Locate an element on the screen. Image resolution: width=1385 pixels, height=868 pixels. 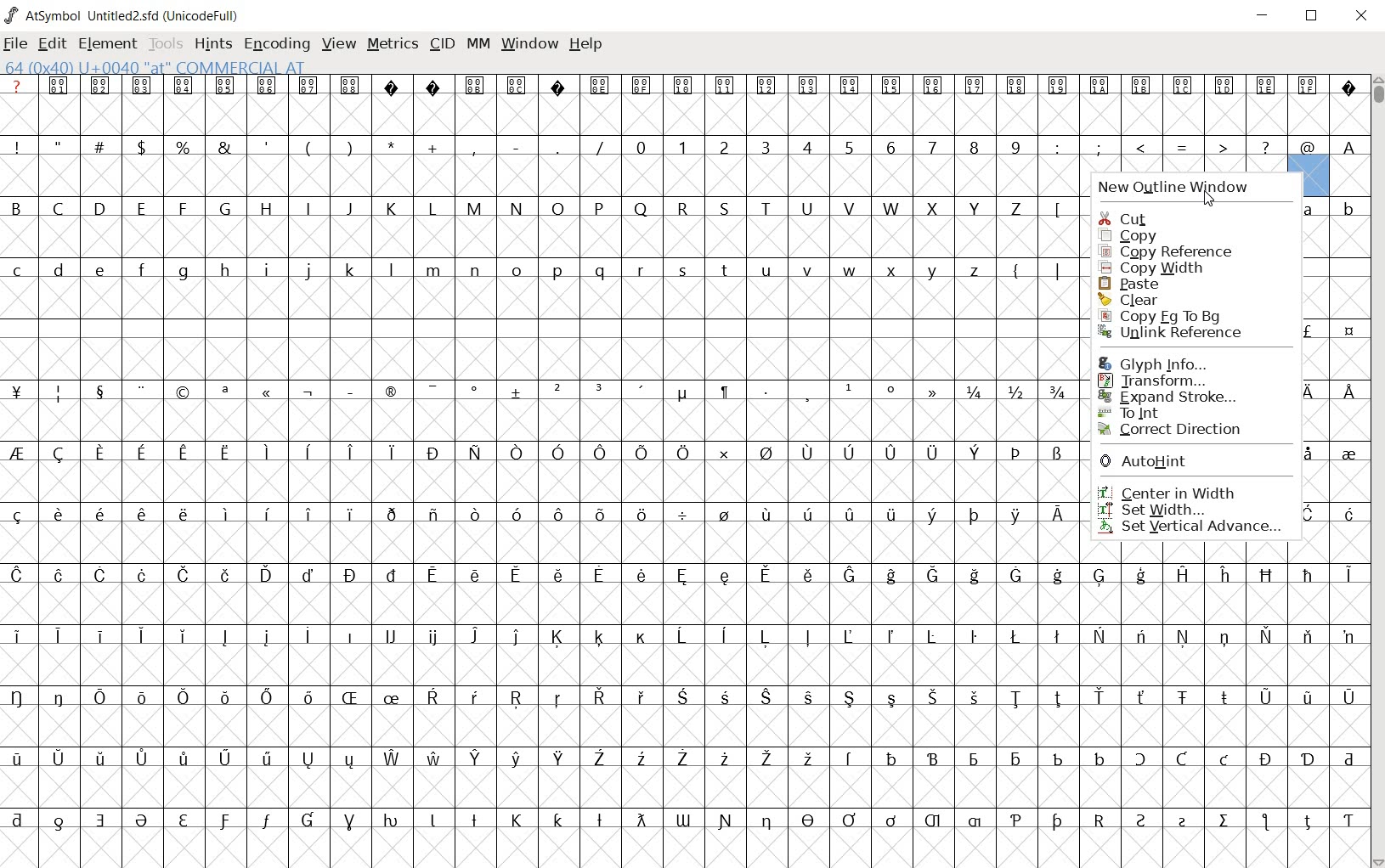
glyph is located at coordinates (1223, 119).